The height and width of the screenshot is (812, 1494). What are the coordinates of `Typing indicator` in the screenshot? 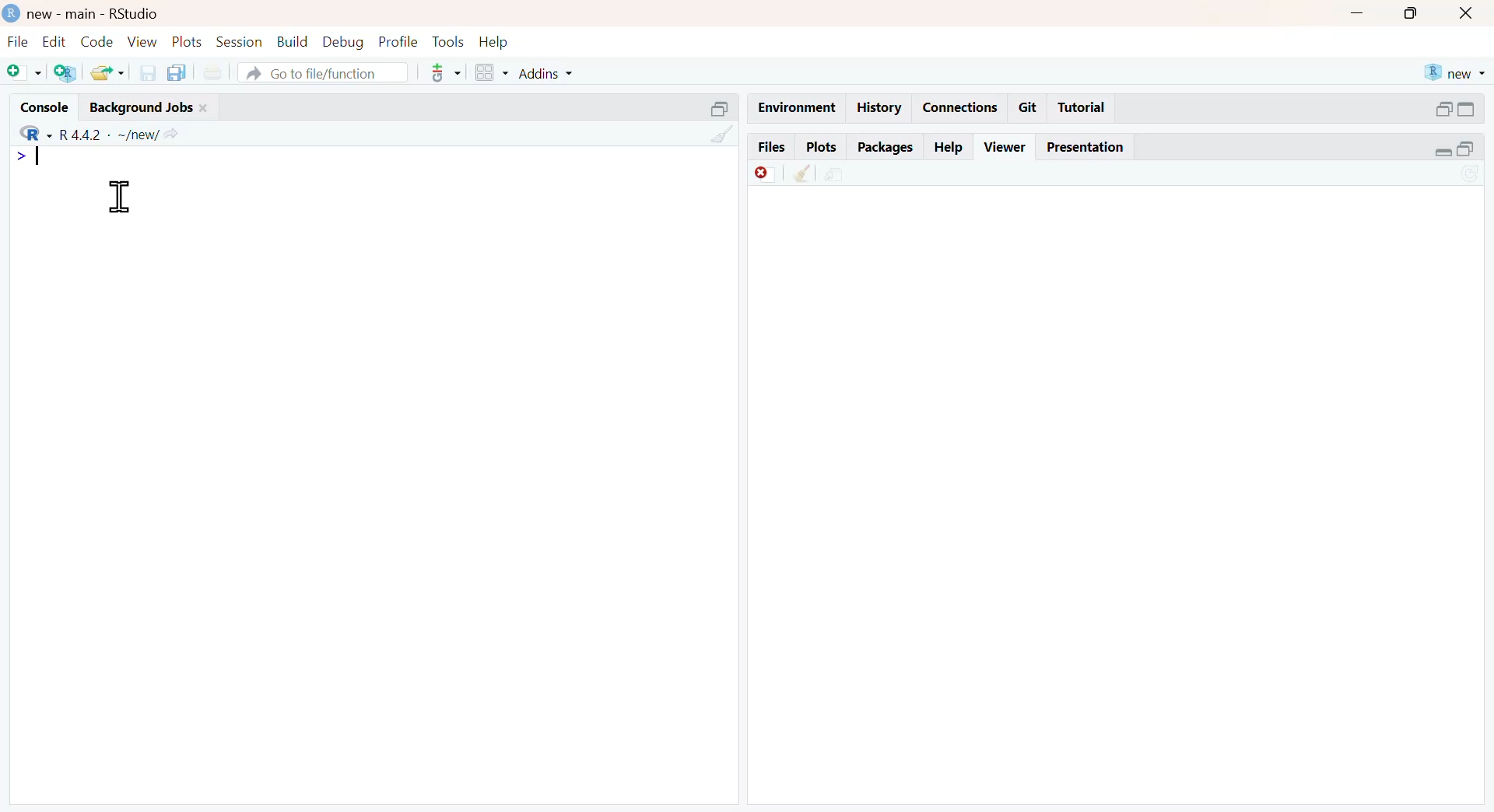 It's located at (37, 156).